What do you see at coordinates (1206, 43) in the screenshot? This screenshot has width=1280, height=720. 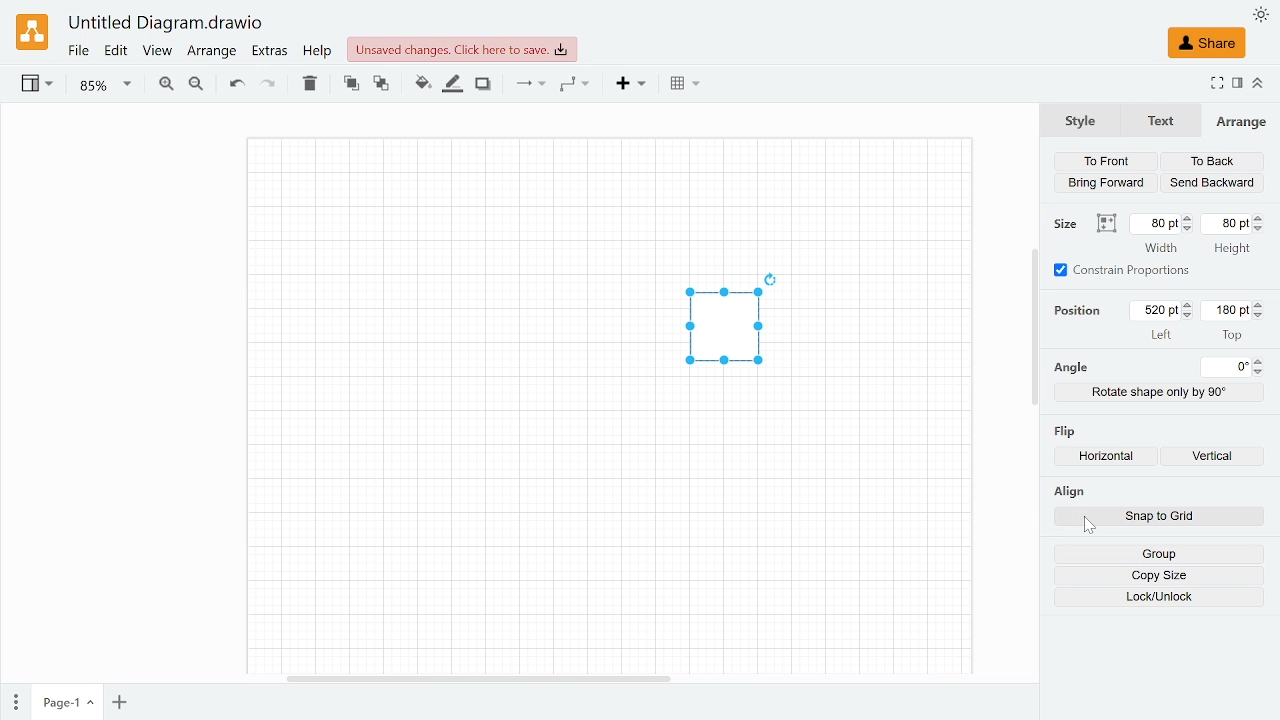 I see `Share` at bounding box center [1206, 43].